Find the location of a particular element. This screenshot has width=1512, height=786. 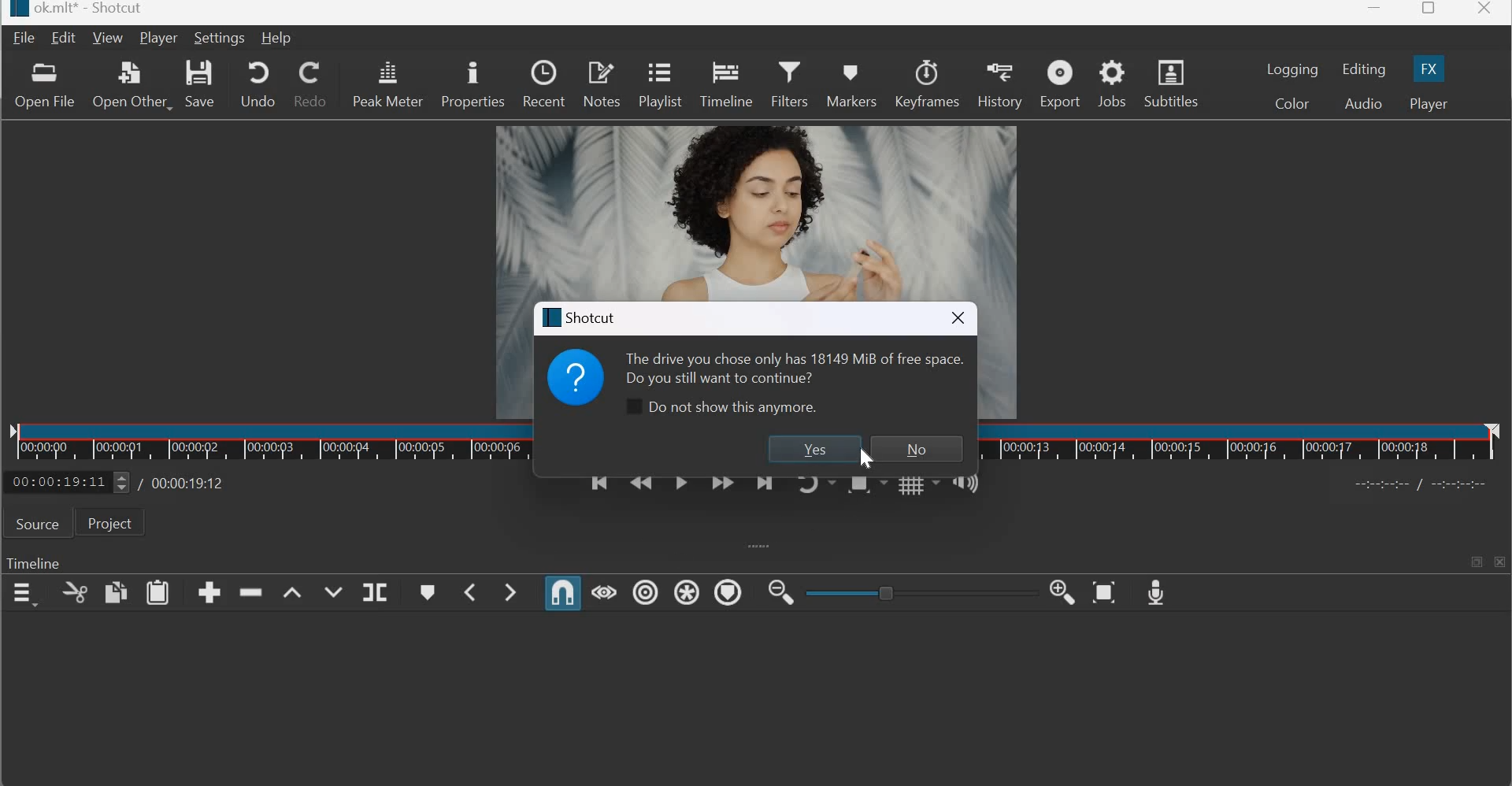

Close is located at coordinates (1487, 12).